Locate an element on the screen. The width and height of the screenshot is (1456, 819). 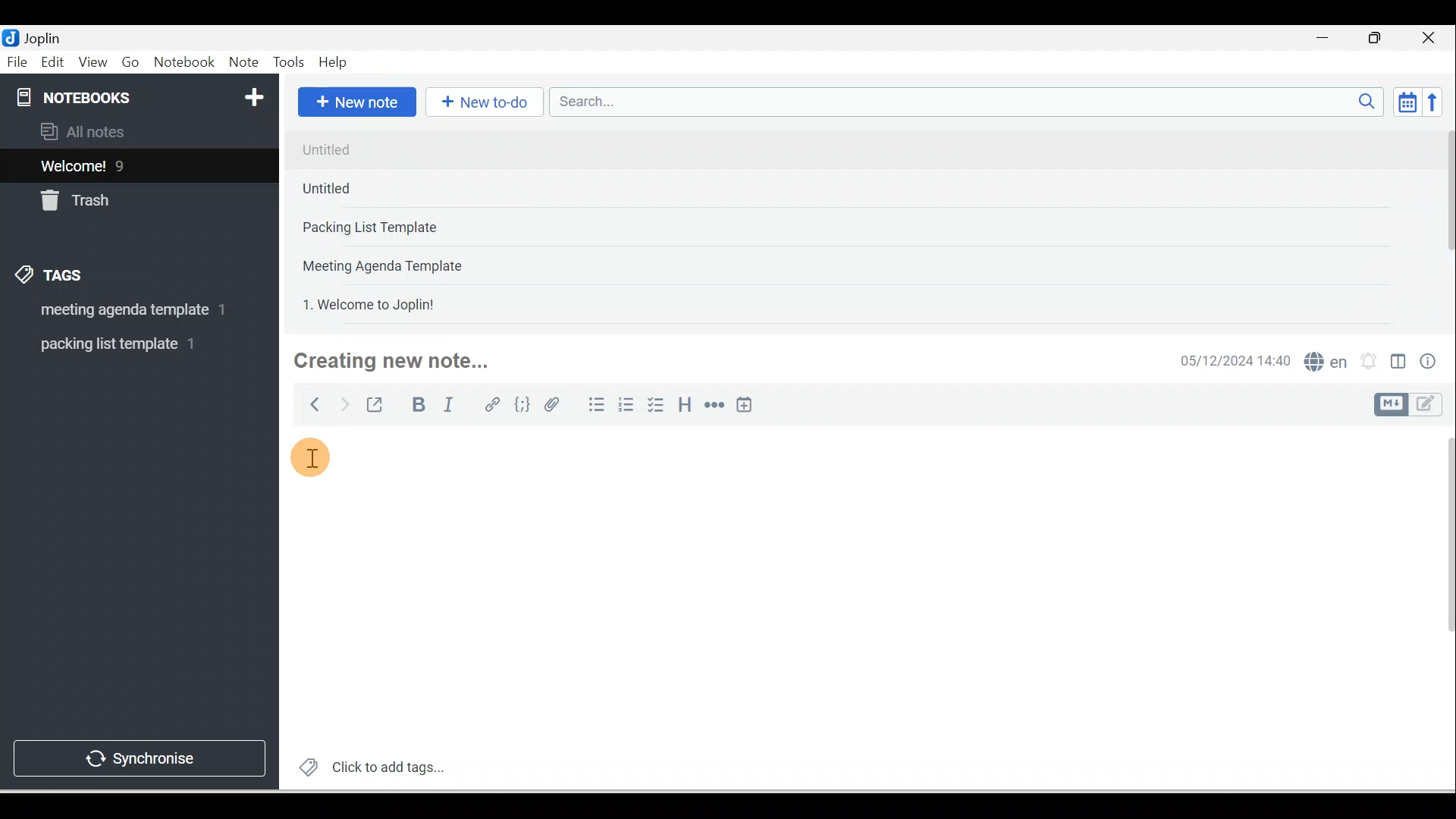
Code is located at coordinates (522, 406).